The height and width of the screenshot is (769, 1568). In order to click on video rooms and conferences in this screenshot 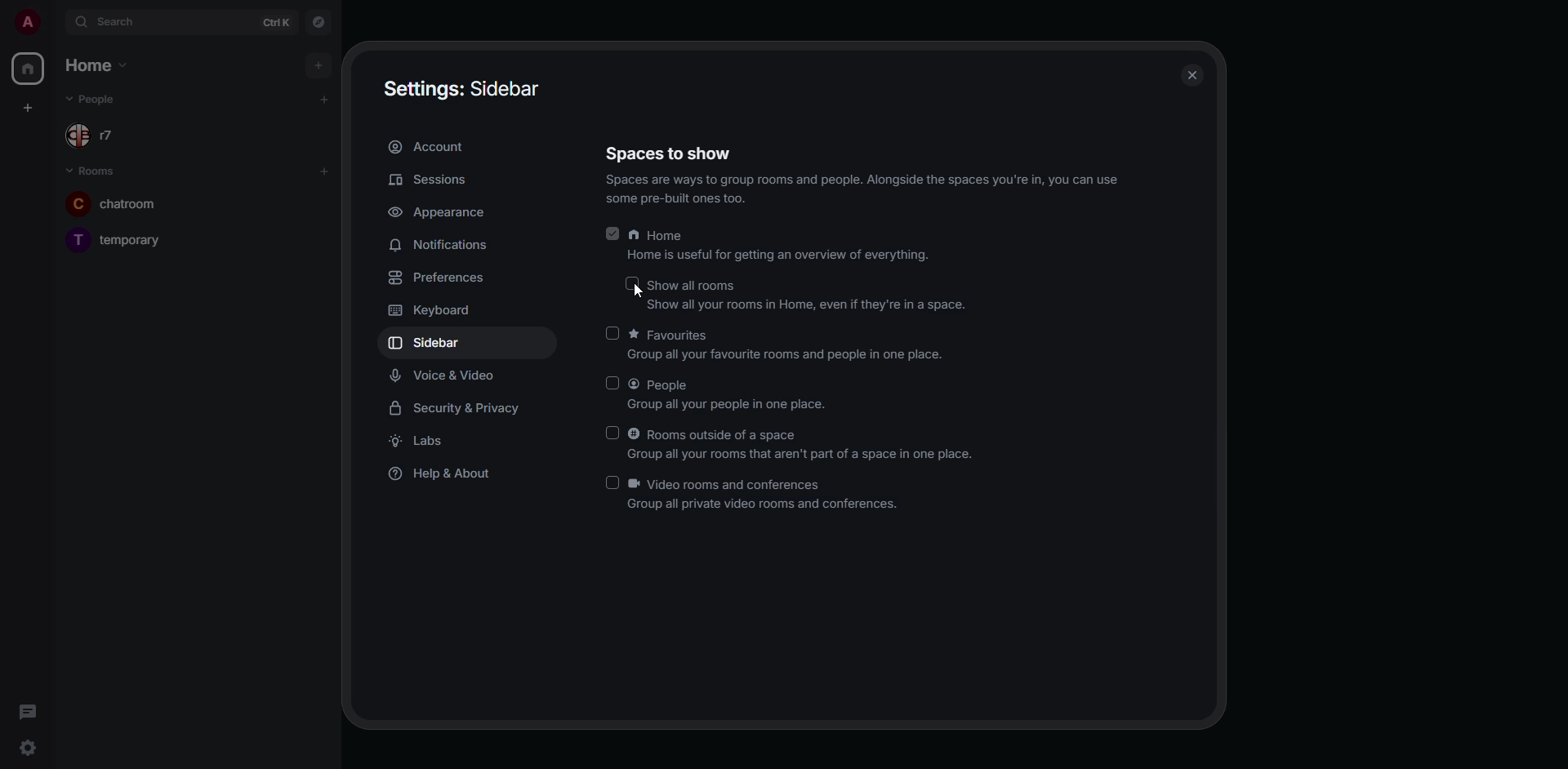, I will do `click(768, 494)`.